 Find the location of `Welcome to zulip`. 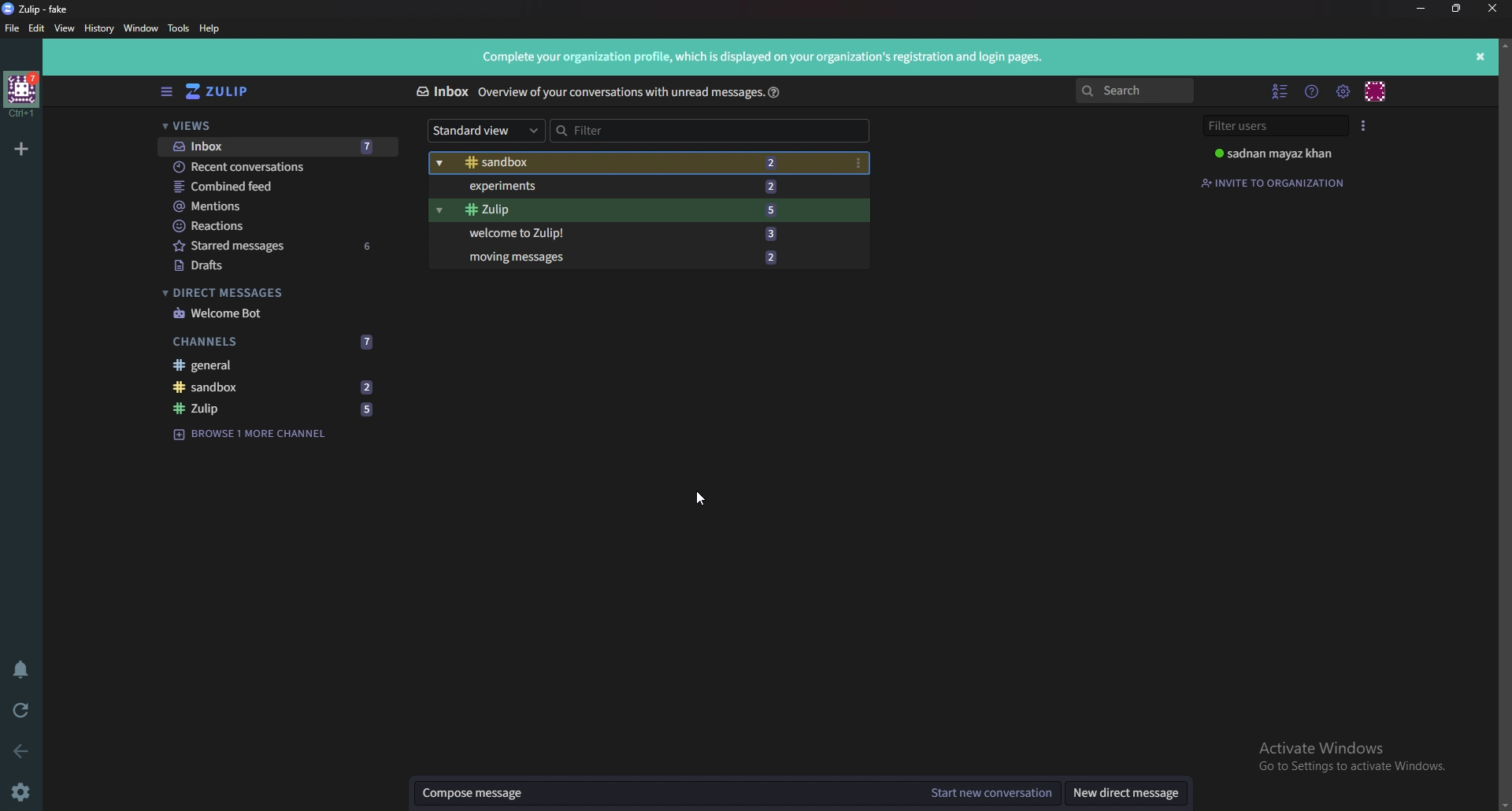

Welcome to zulip is located at coordinates (622, 232).